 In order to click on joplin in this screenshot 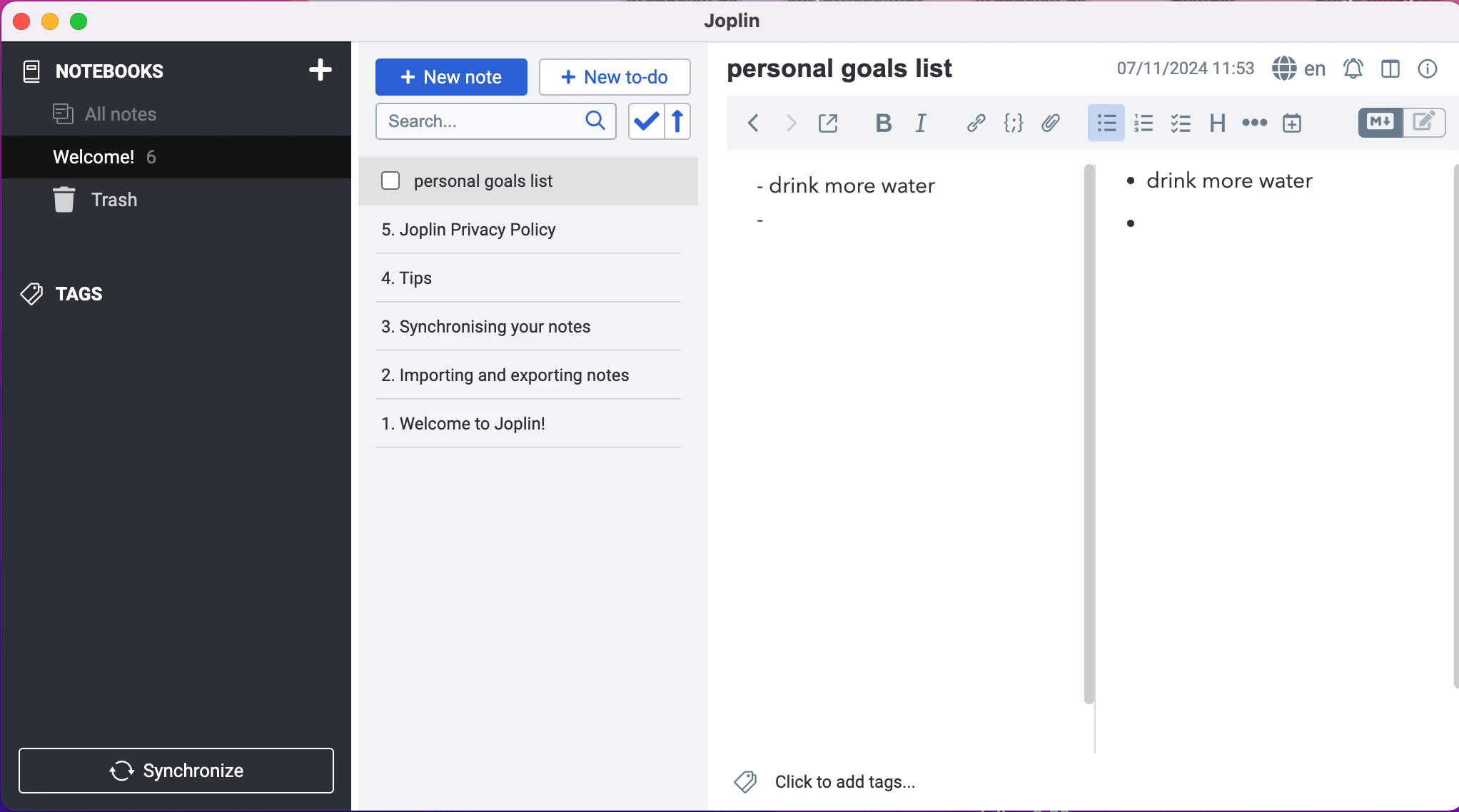, I will do `click(748, 24)`.